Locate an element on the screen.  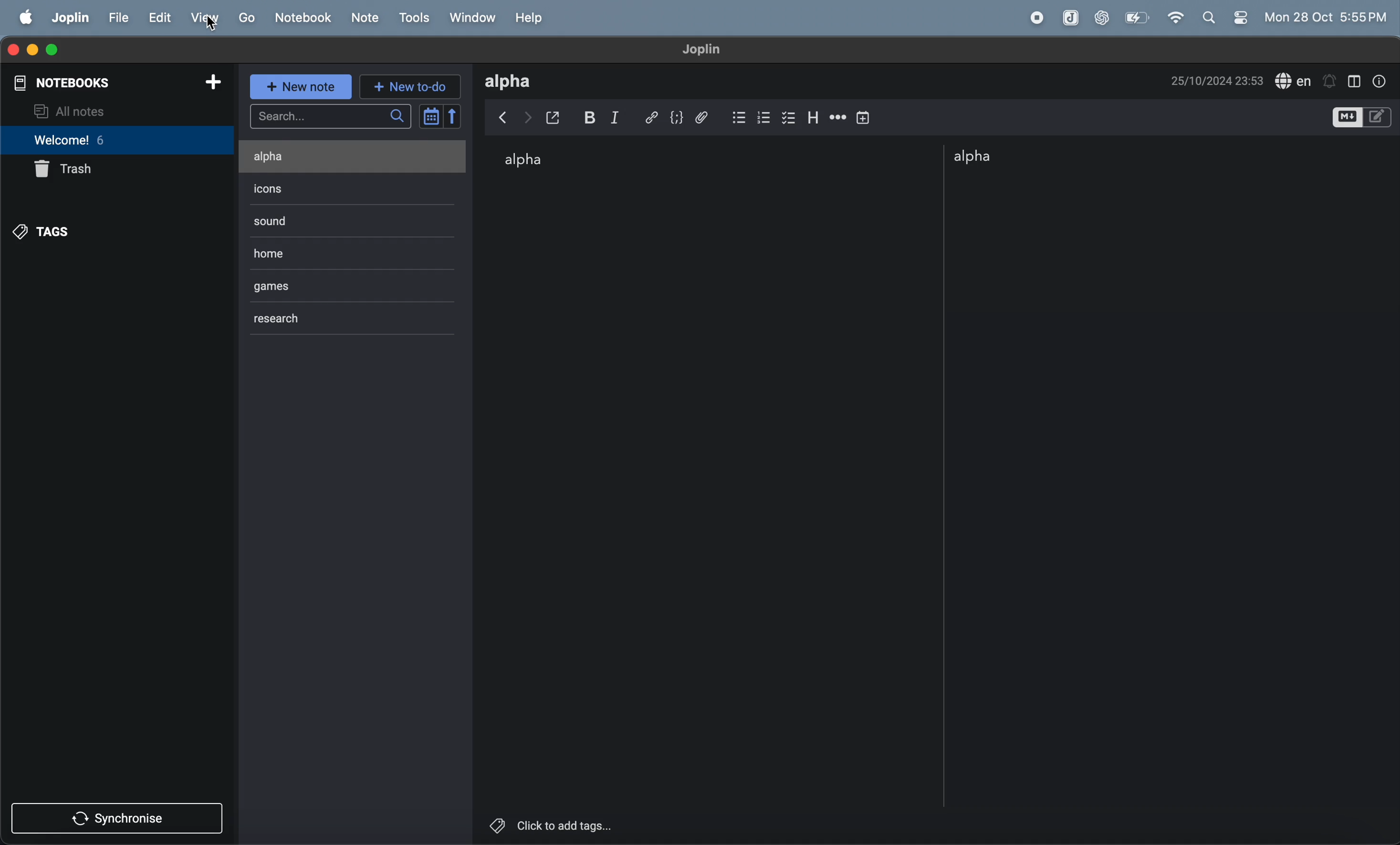
code is located at coordinates (680, 118).